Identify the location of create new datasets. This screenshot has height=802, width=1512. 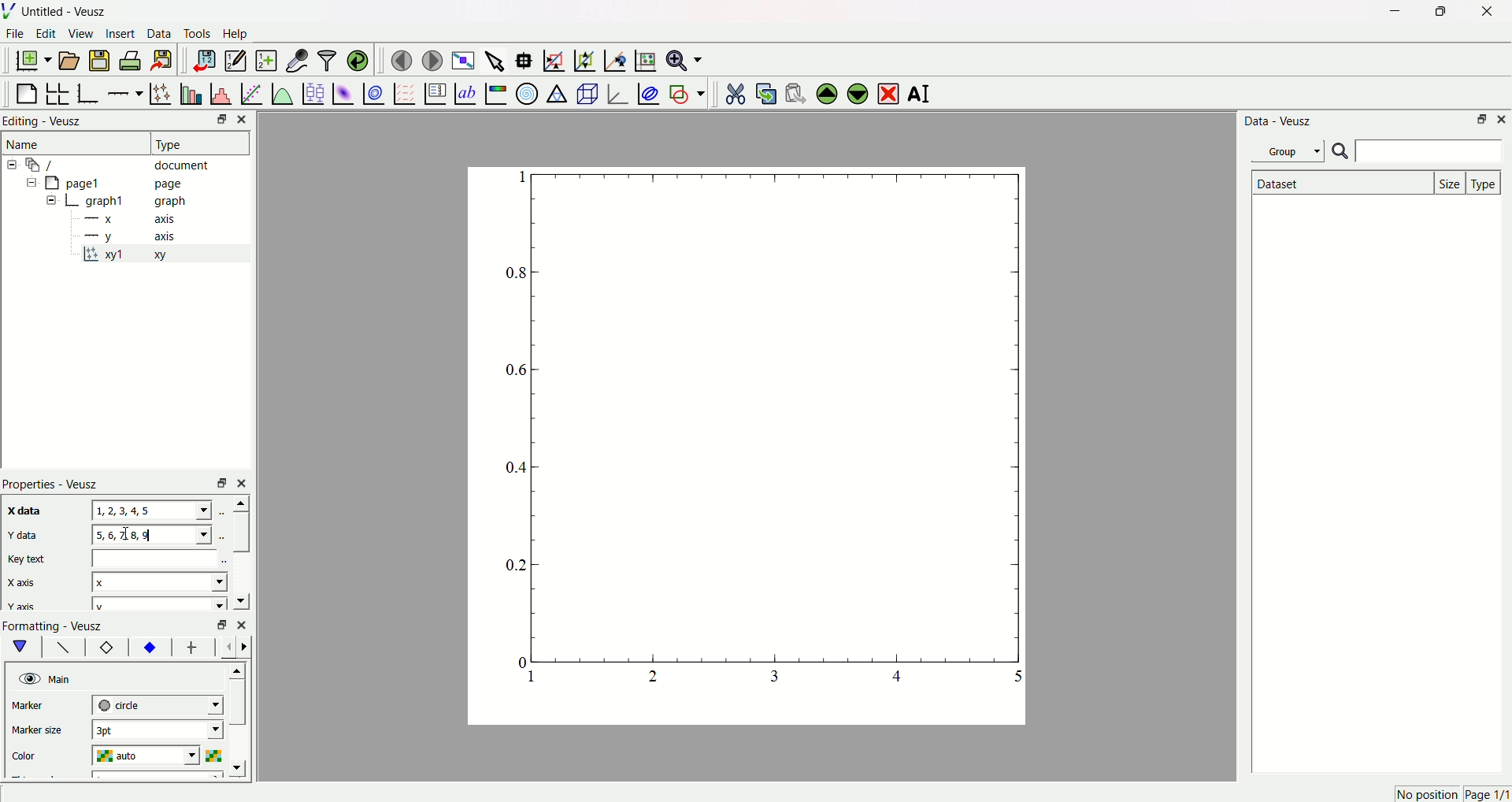
(265, 61).